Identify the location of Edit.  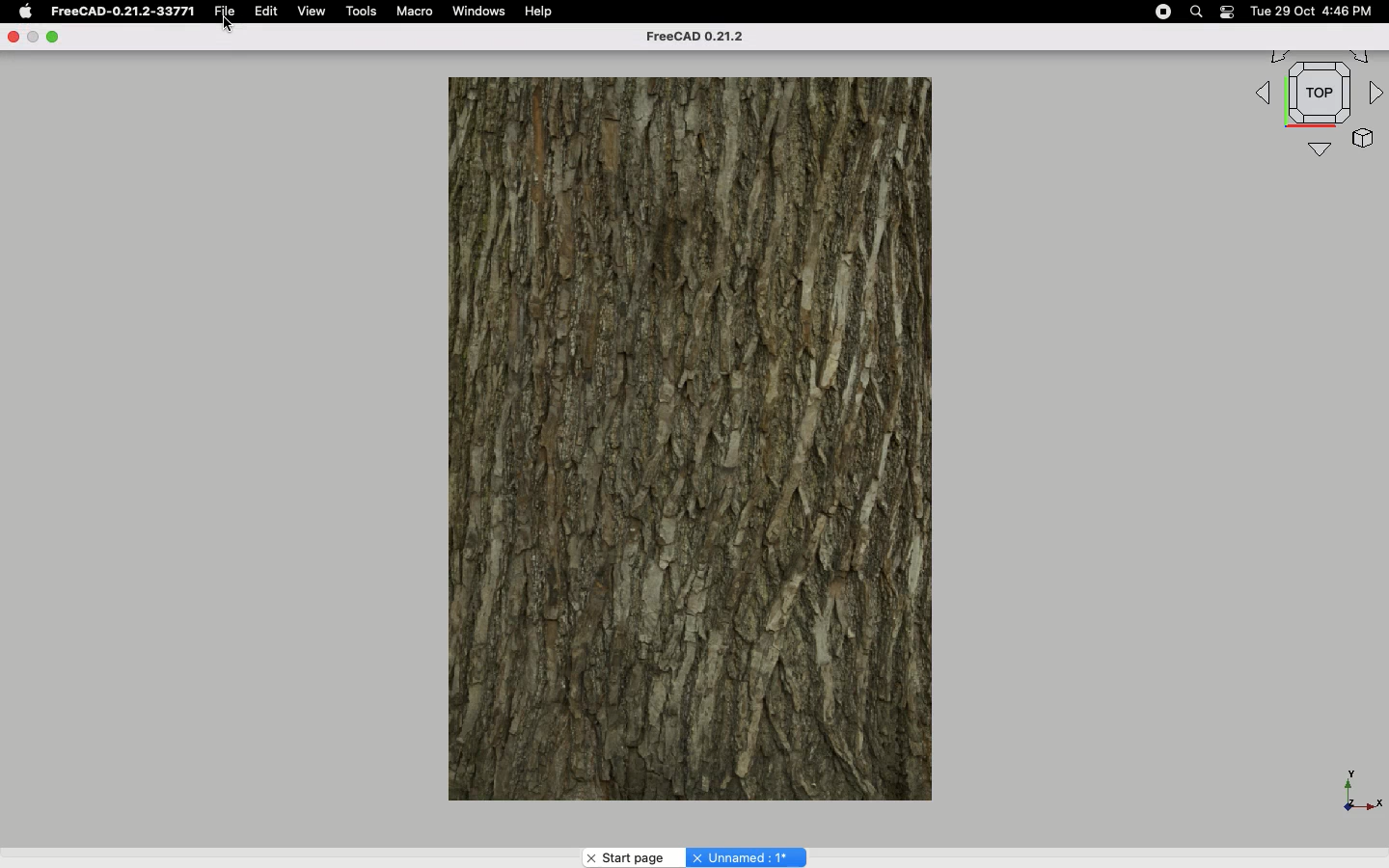
(268, 12).